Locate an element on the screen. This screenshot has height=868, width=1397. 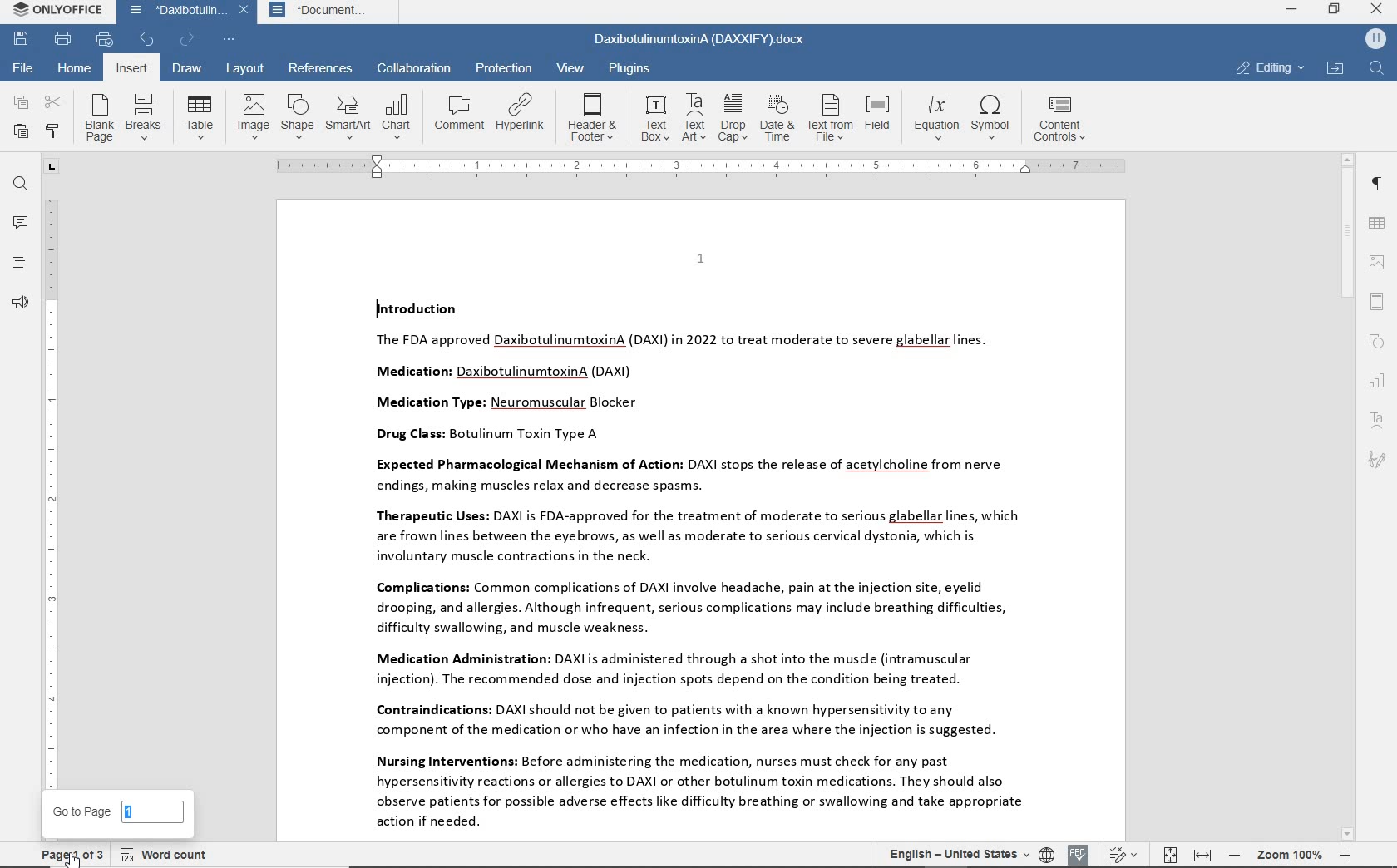
save is located at coordinates (22, 39).